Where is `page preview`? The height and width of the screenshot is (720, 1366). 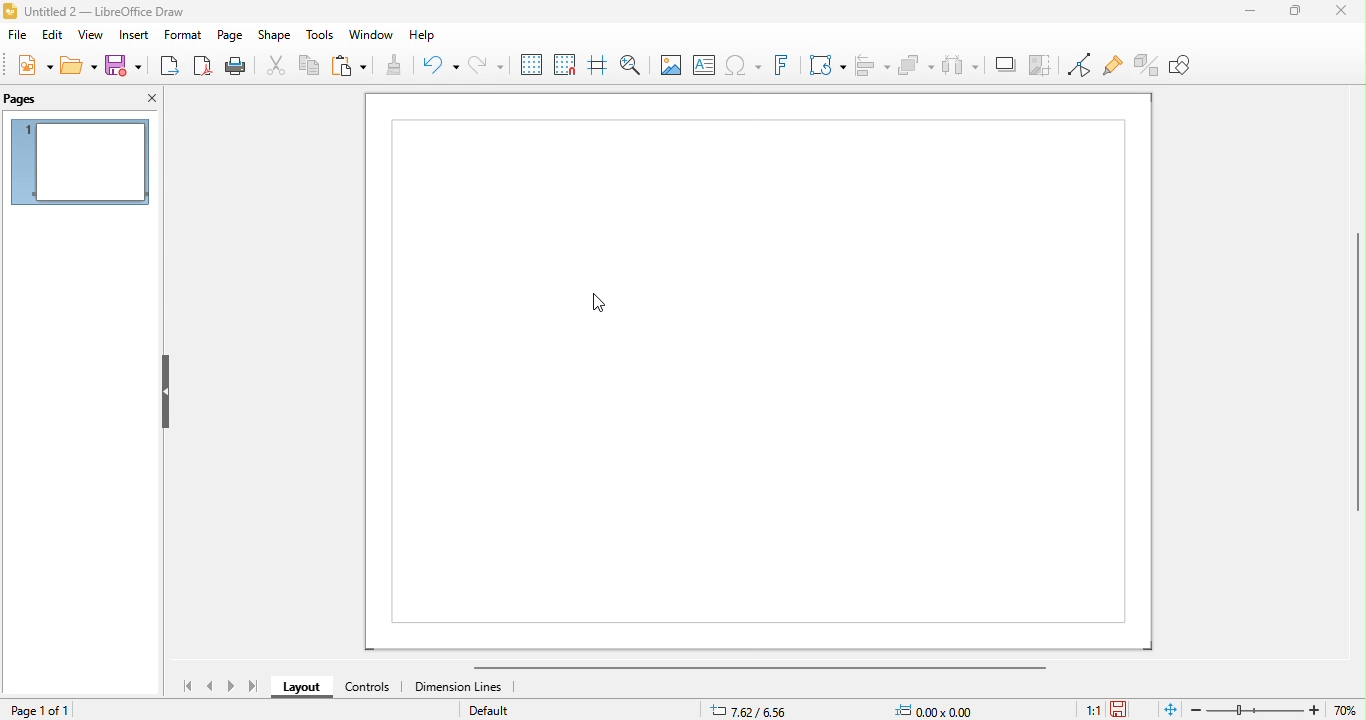
page preview is located at coordinates (80, 162).